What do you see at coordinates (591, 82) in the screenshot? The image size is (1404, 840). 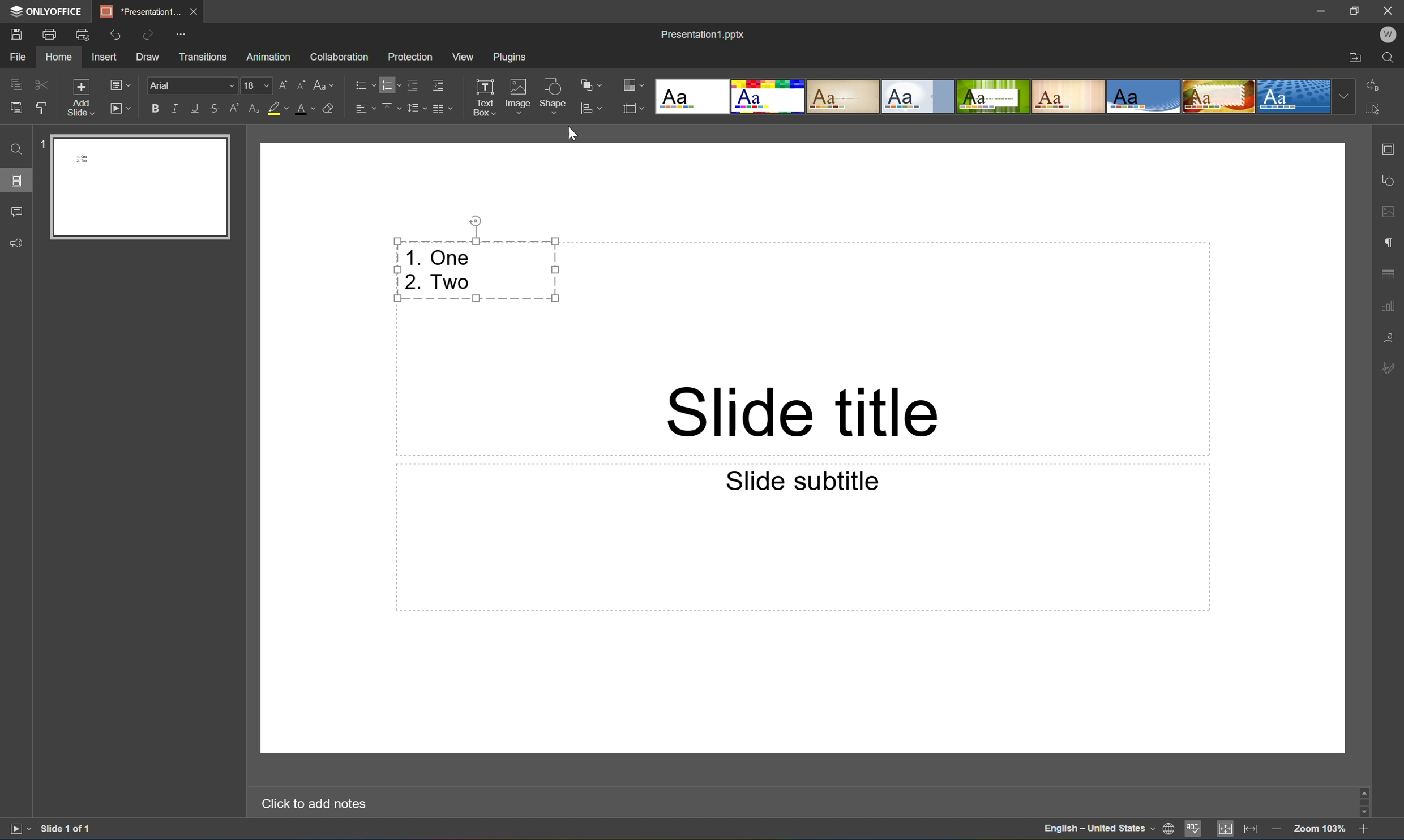 I see `Arrange shape` at bounding box center [591, 82].